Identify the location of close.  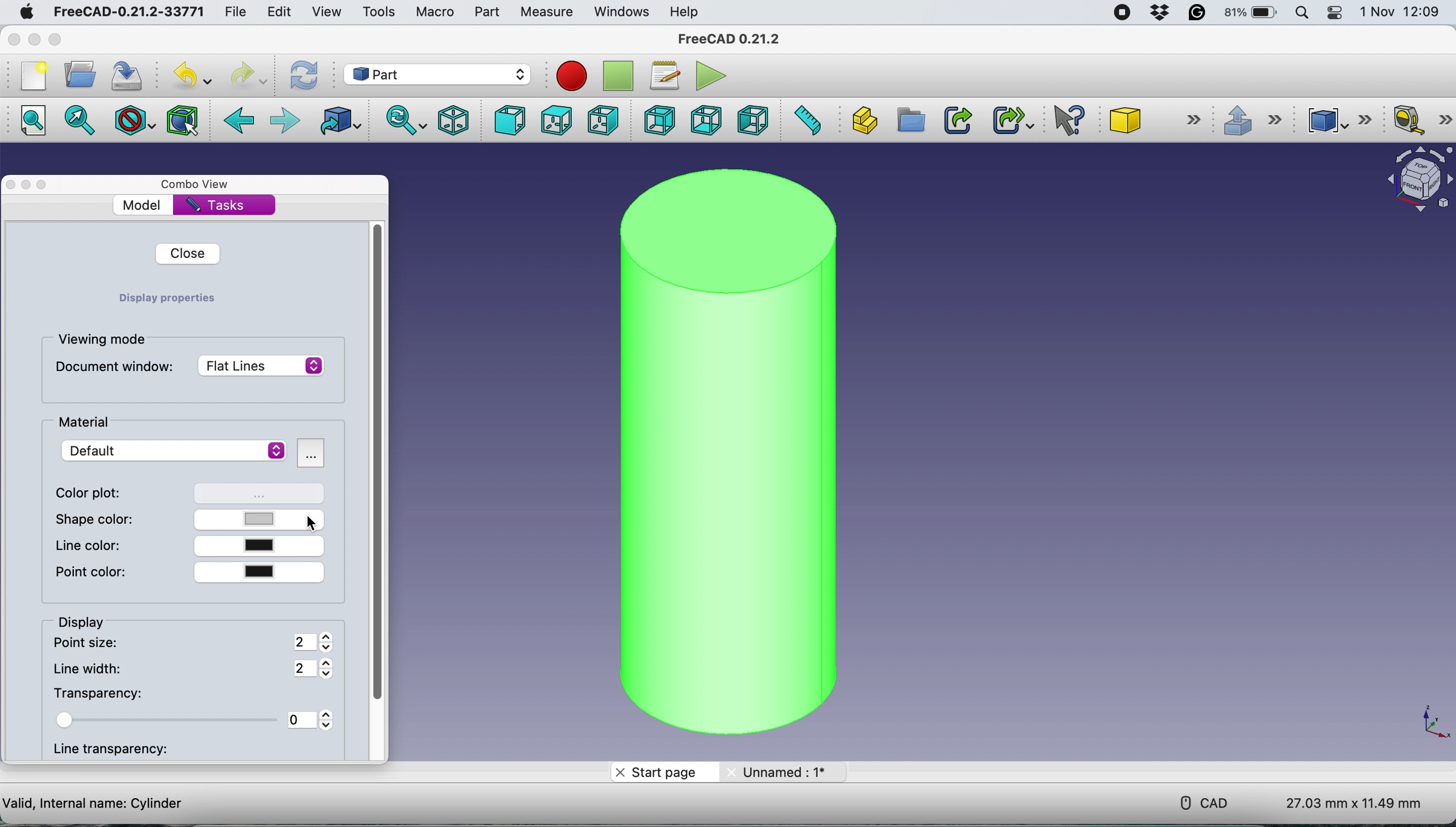
(14, 39).